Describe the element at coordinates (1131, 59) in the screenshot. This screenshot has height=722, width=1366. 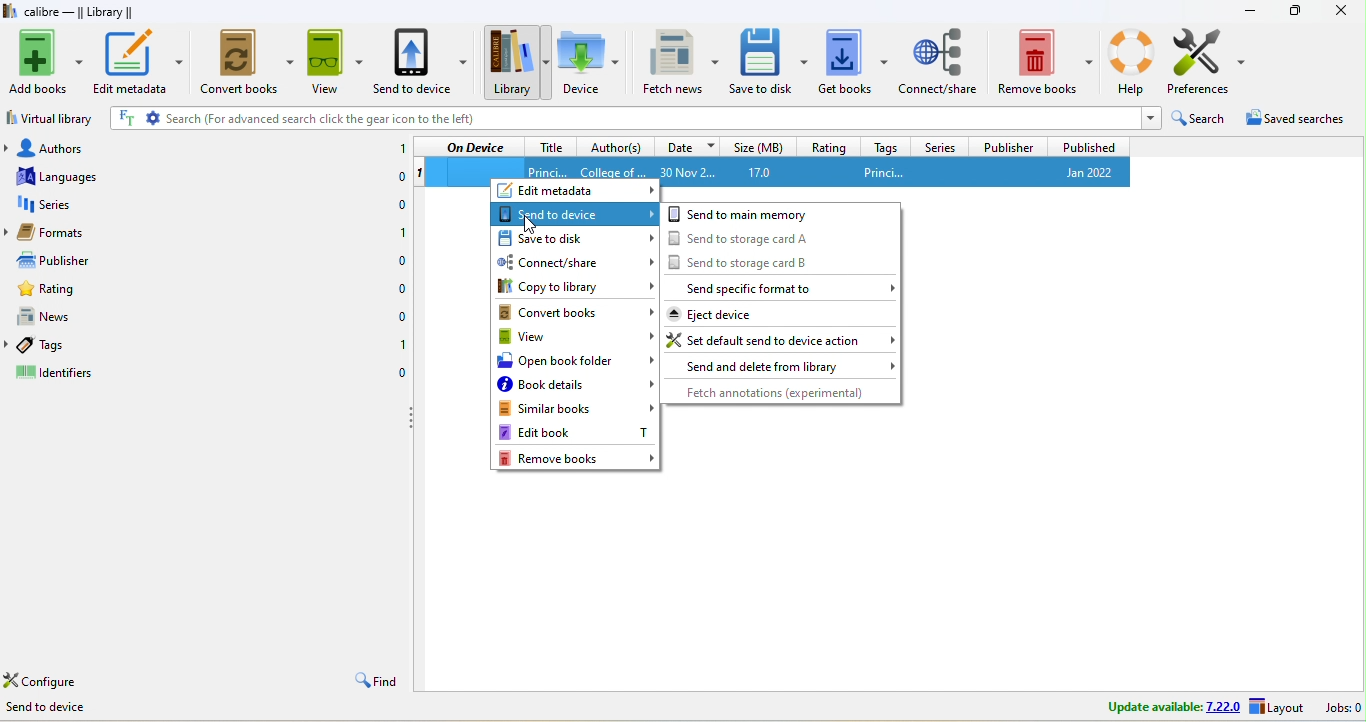
I see `help` at that location.